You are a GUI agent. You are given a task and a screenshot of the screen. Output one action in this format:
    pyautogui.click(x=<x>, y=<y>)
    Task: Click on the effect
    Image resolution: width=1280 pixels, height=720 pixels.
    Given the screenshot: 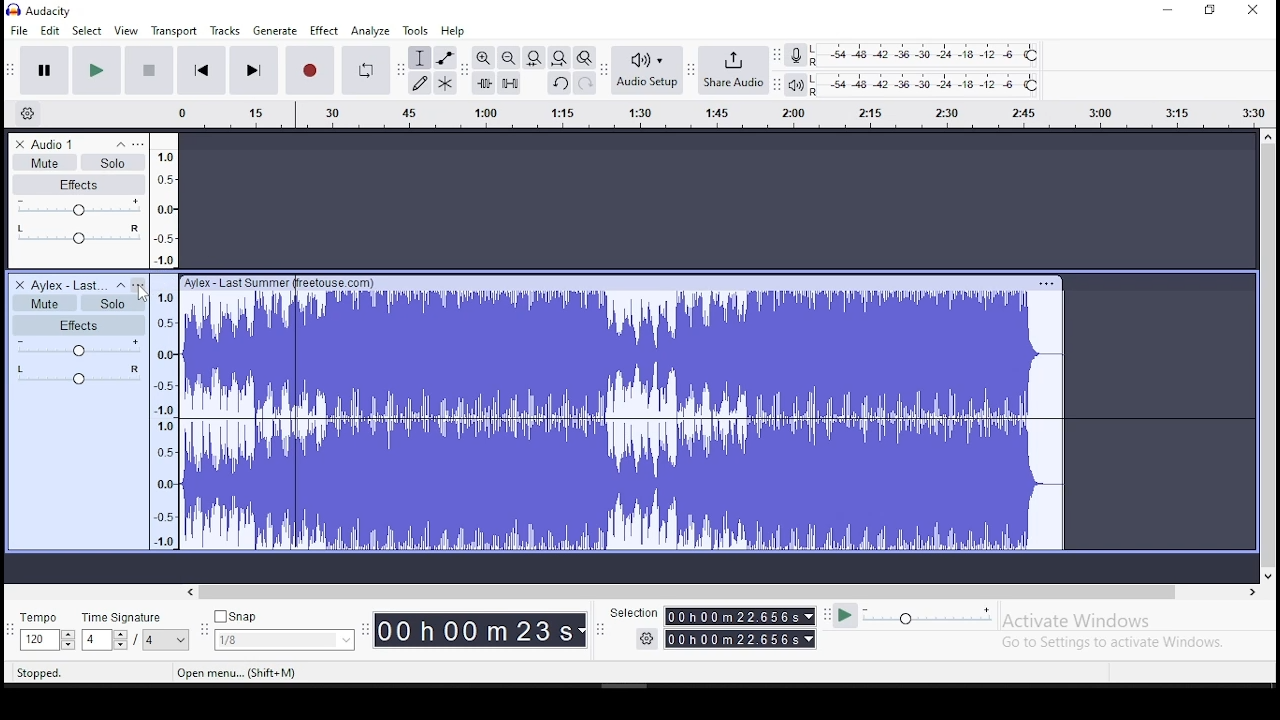 What is the action you would take?
    pyautogui.click(x=326, y=30)
    